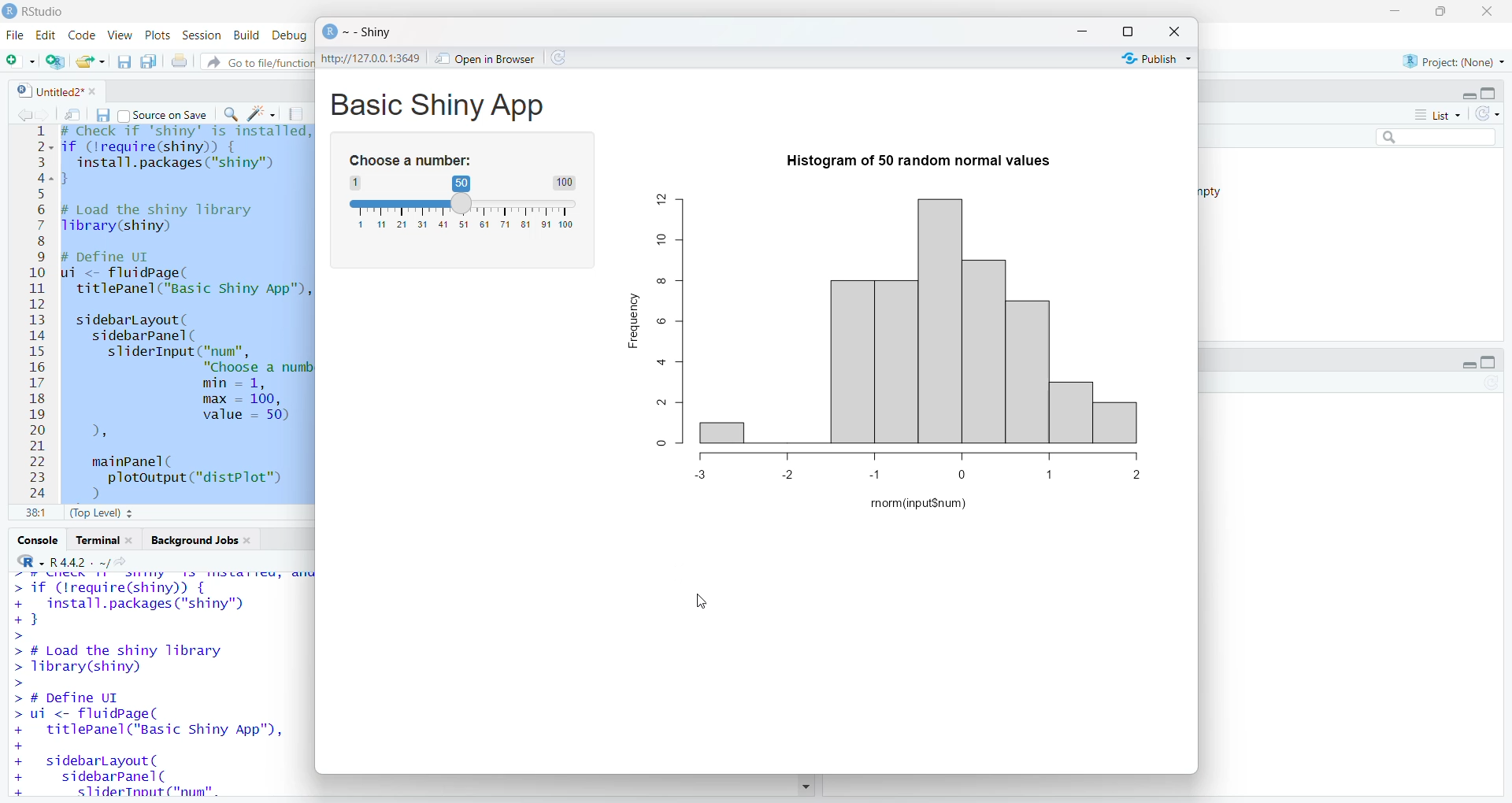  I want to click on minimize, so click(1395, 11).